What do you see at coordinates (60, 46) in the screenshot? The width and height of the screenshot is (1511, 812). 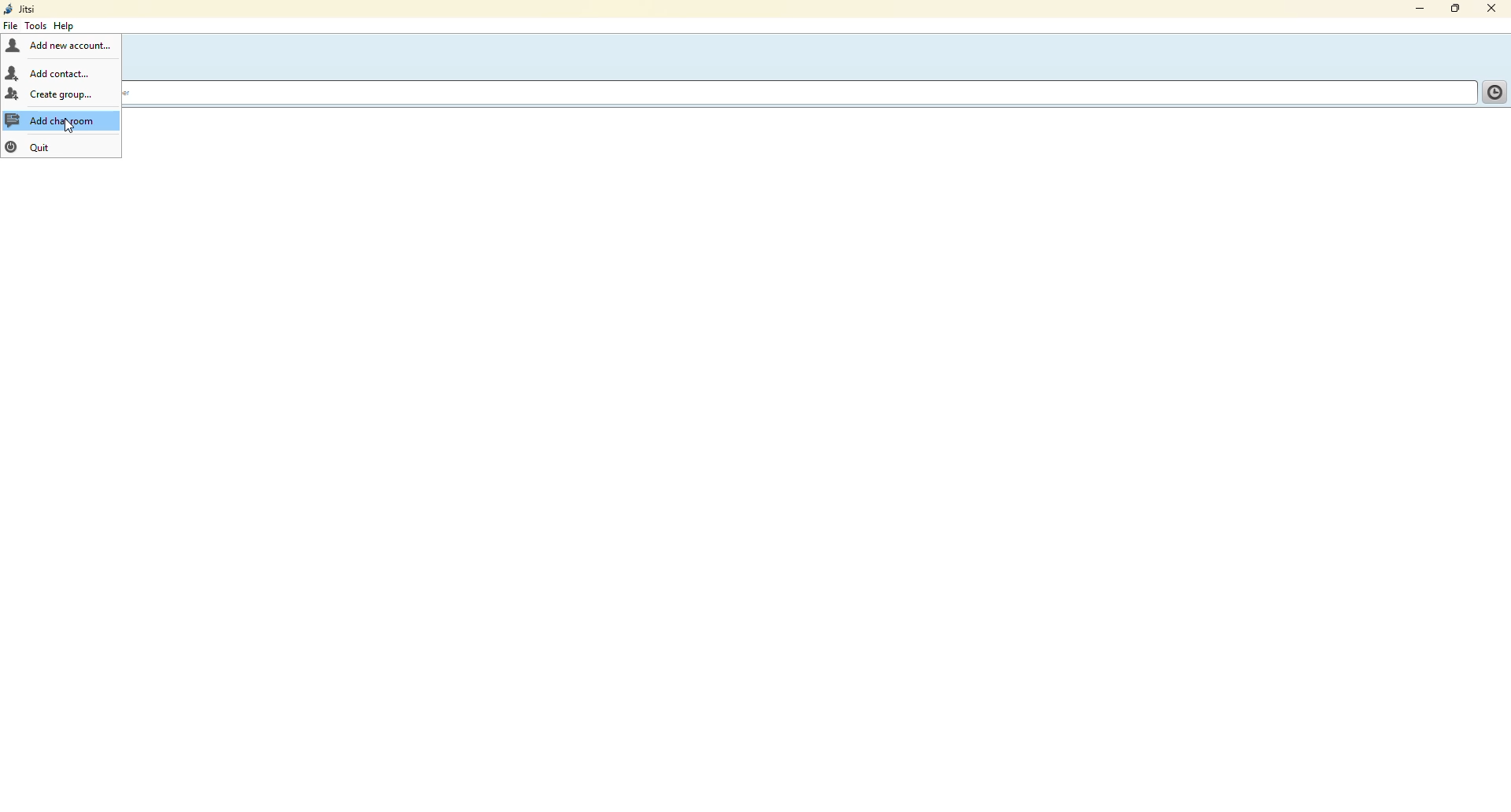 I see `add new account` at bounding box center [60, 46].